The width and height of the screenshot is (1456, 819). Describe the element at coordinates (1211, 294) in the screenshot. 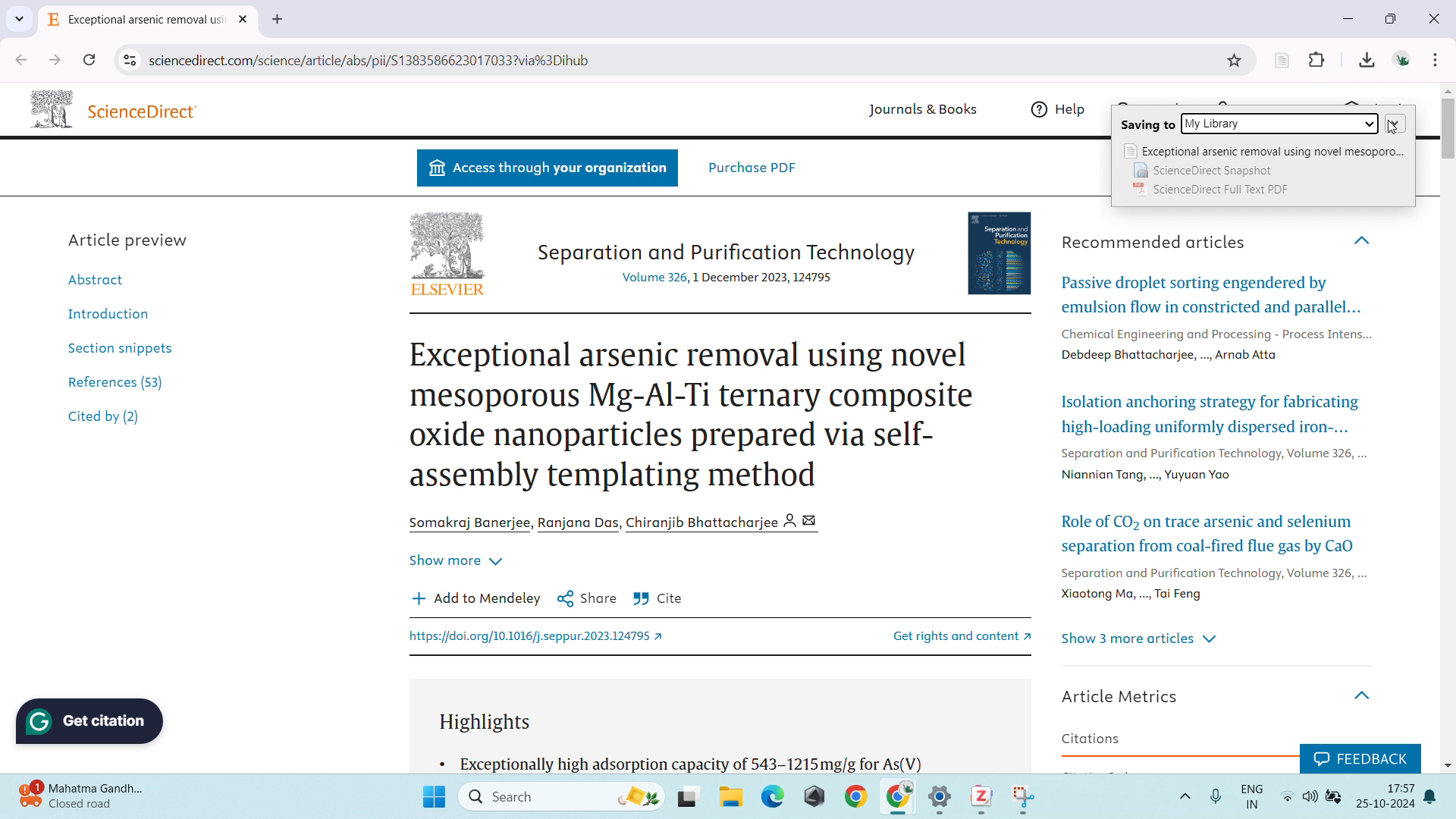

I see `Passive droplet sorting engendered by emulsion flow in constricted and parallel...` at that location.